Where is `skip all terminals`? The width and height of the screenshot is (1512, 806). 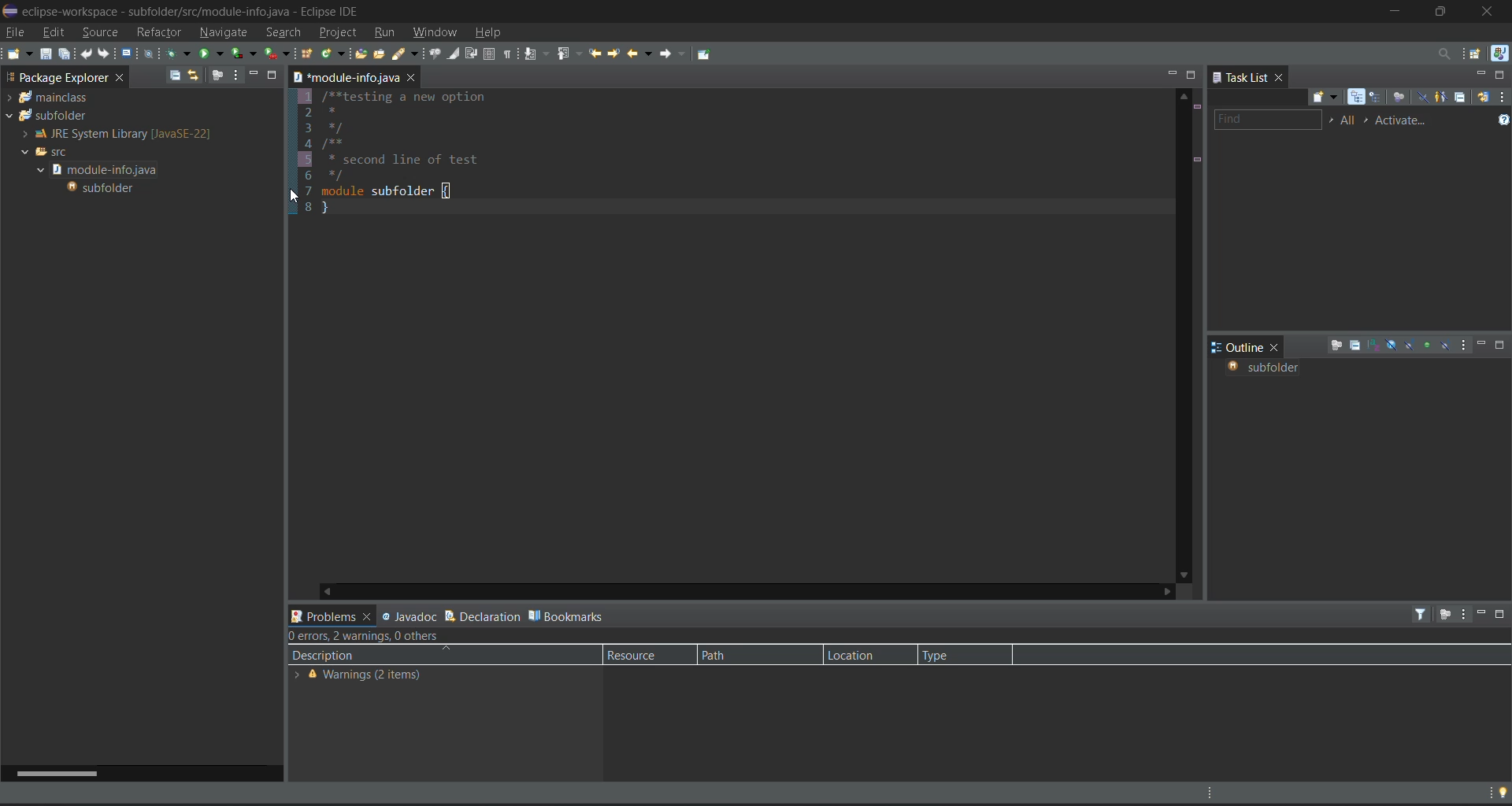 skip all terminals is located at coordinates (152, 53).